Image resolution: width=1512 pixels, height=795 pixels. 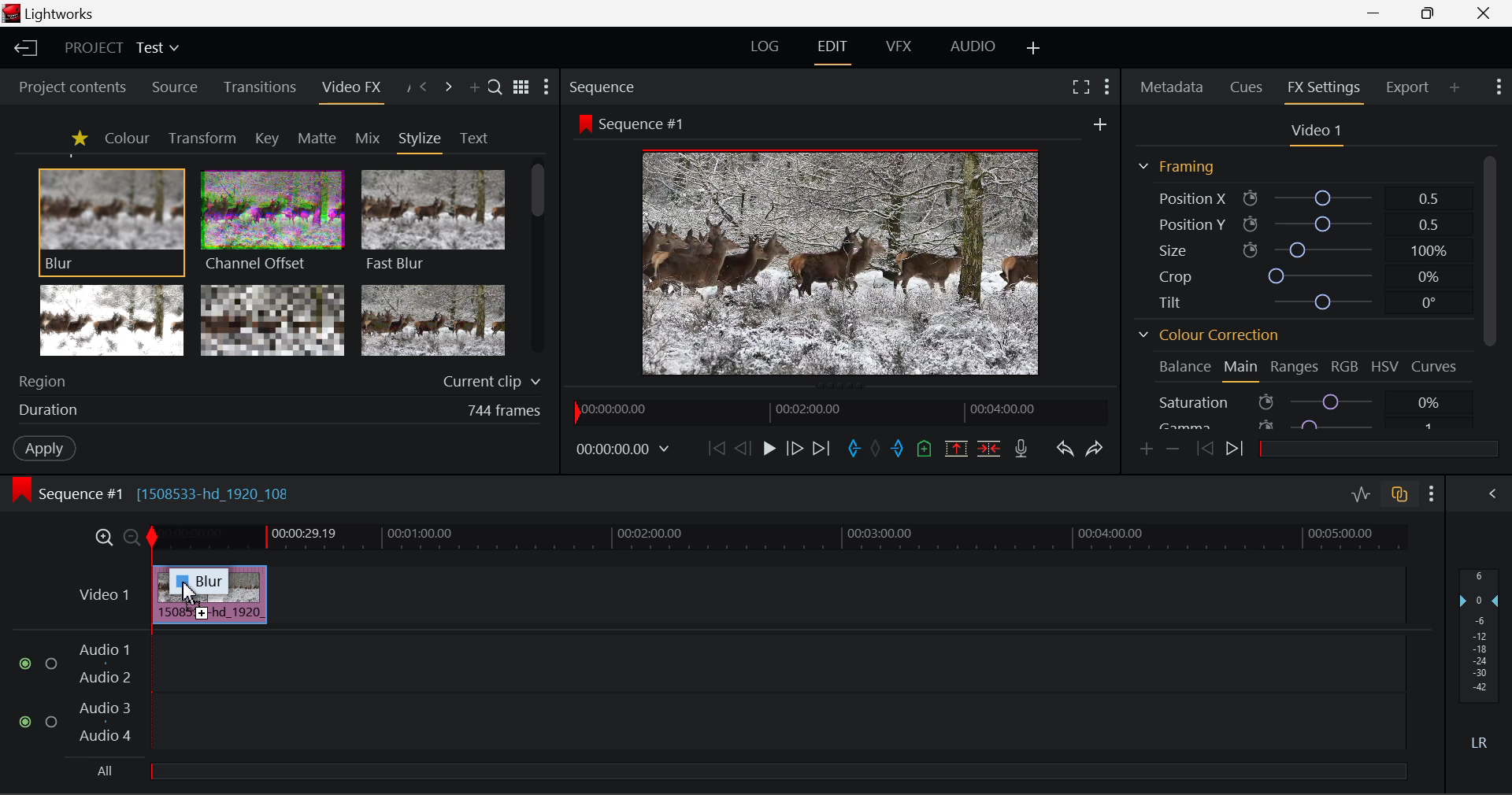 I want to click on Mosaic, so click(x=274, y=321).